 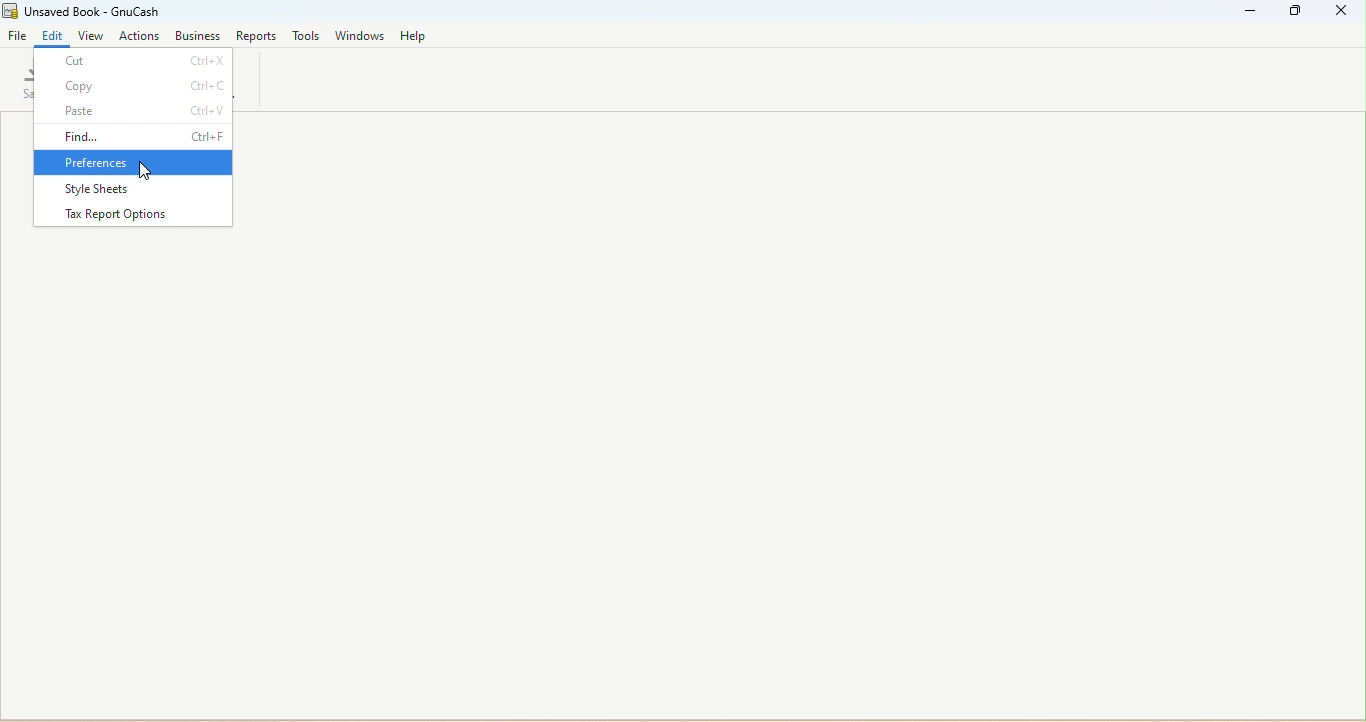 I want to click on Paste, so click(x=134, y=111).